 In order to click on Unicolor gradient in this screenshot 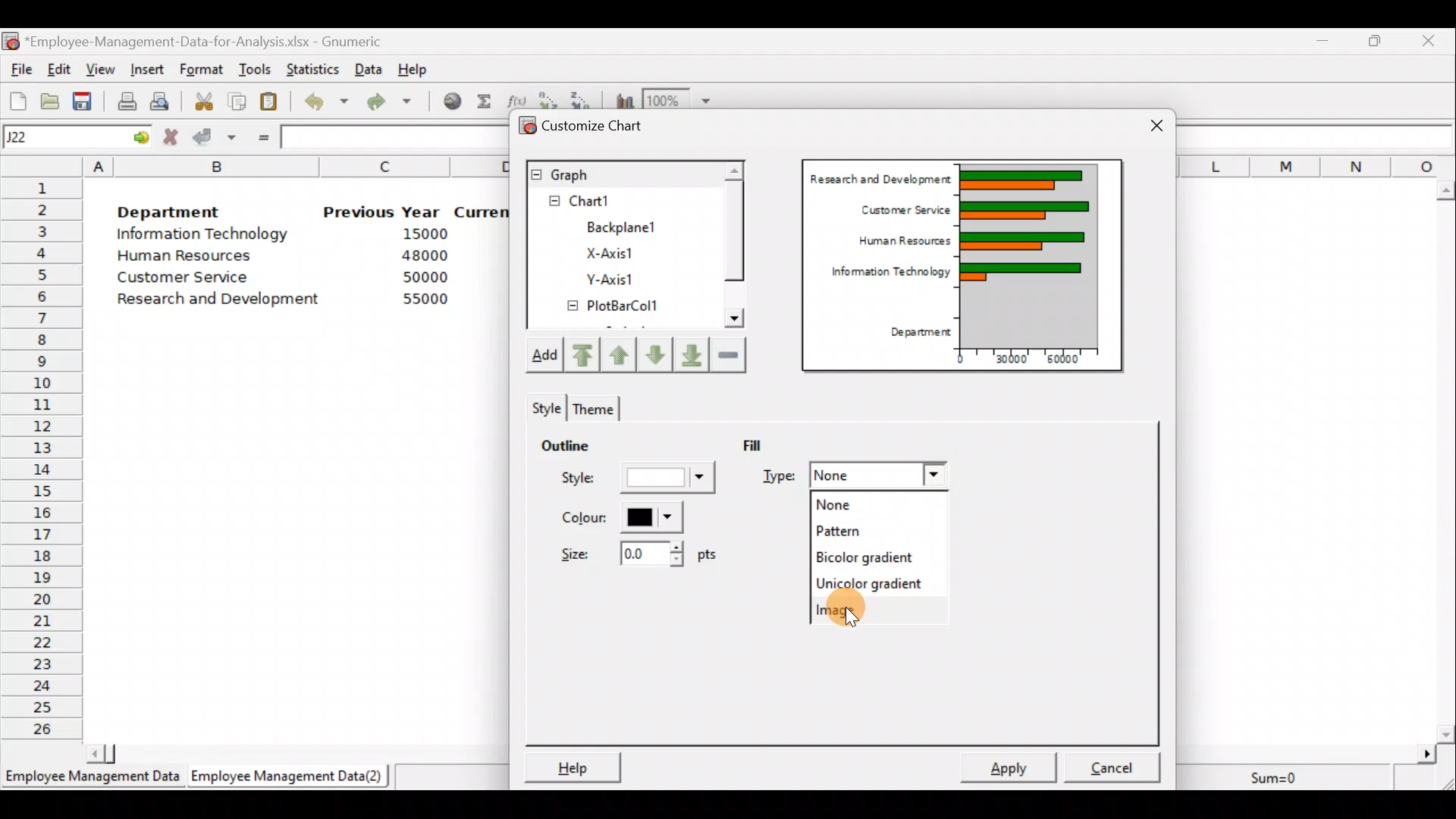, I will do `click(864, 588)`.